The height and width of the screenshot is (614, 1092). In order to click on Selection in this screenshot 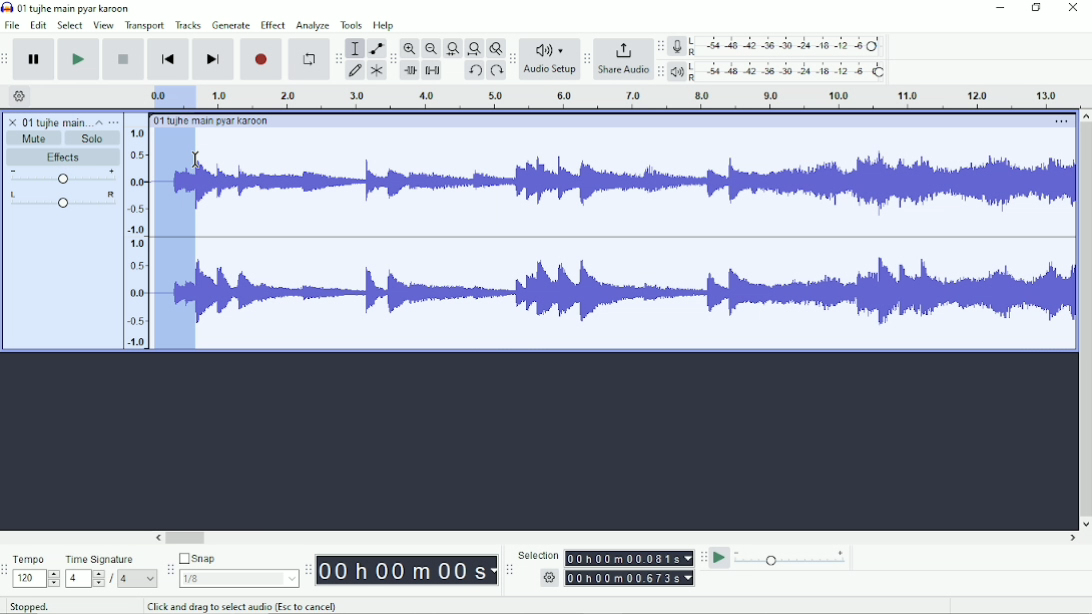, I will do `click(538, 555)`.